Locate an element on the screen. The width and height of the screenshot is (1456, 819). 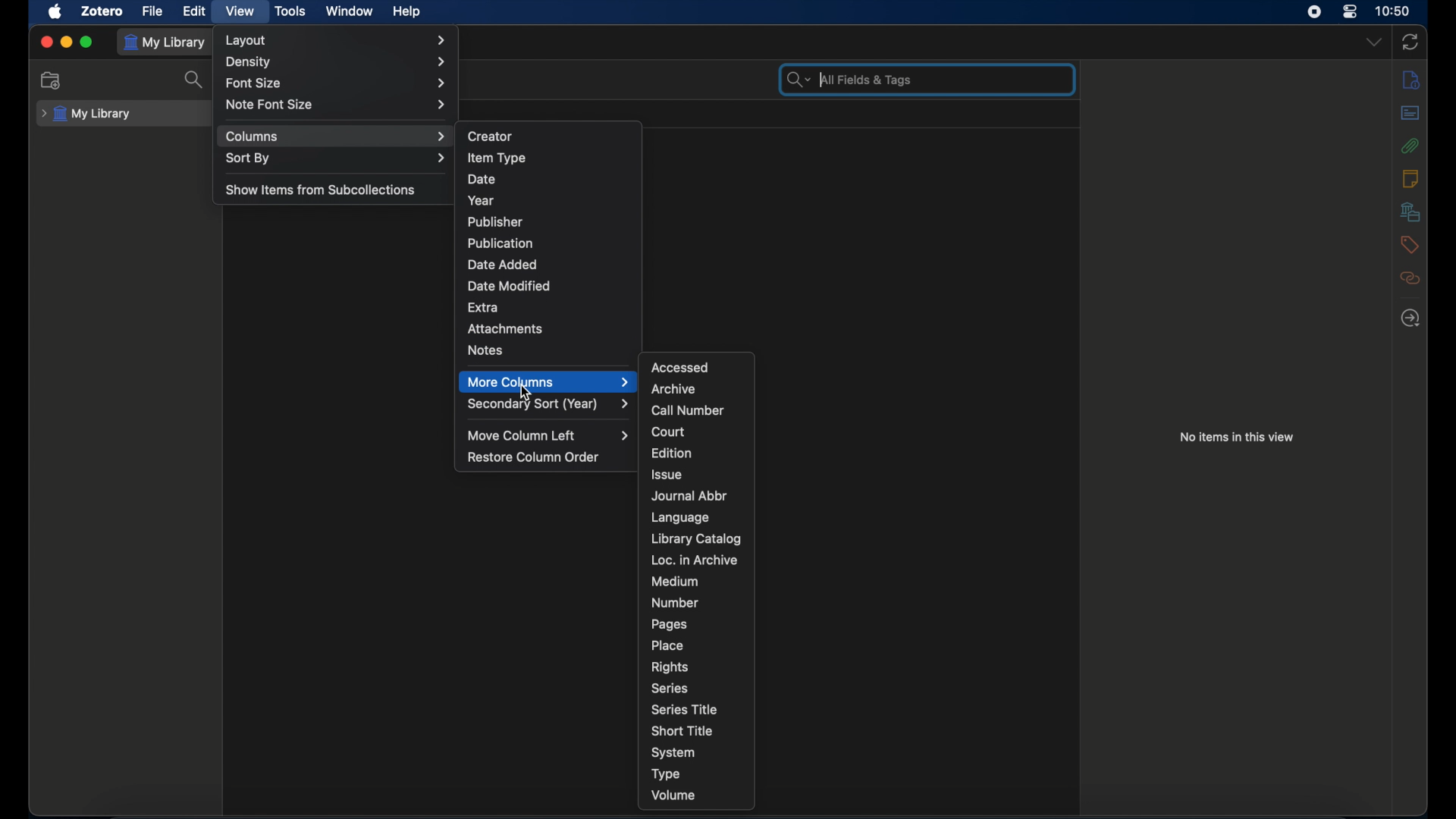
libraries is located at coordinates (1410, 212).